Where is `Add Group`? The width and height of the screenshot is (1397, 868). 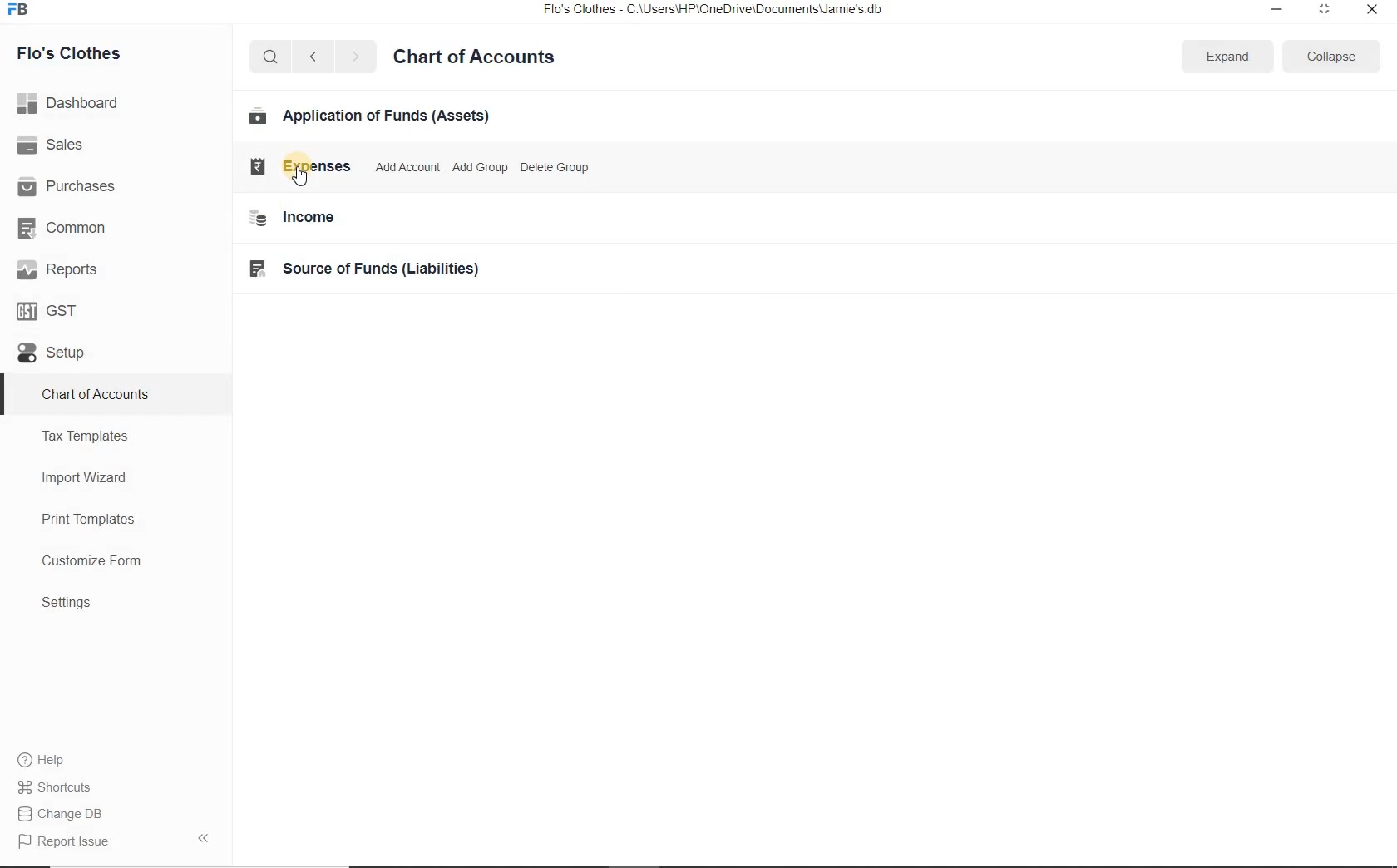
Add Group is located at coordinates (481, 168).